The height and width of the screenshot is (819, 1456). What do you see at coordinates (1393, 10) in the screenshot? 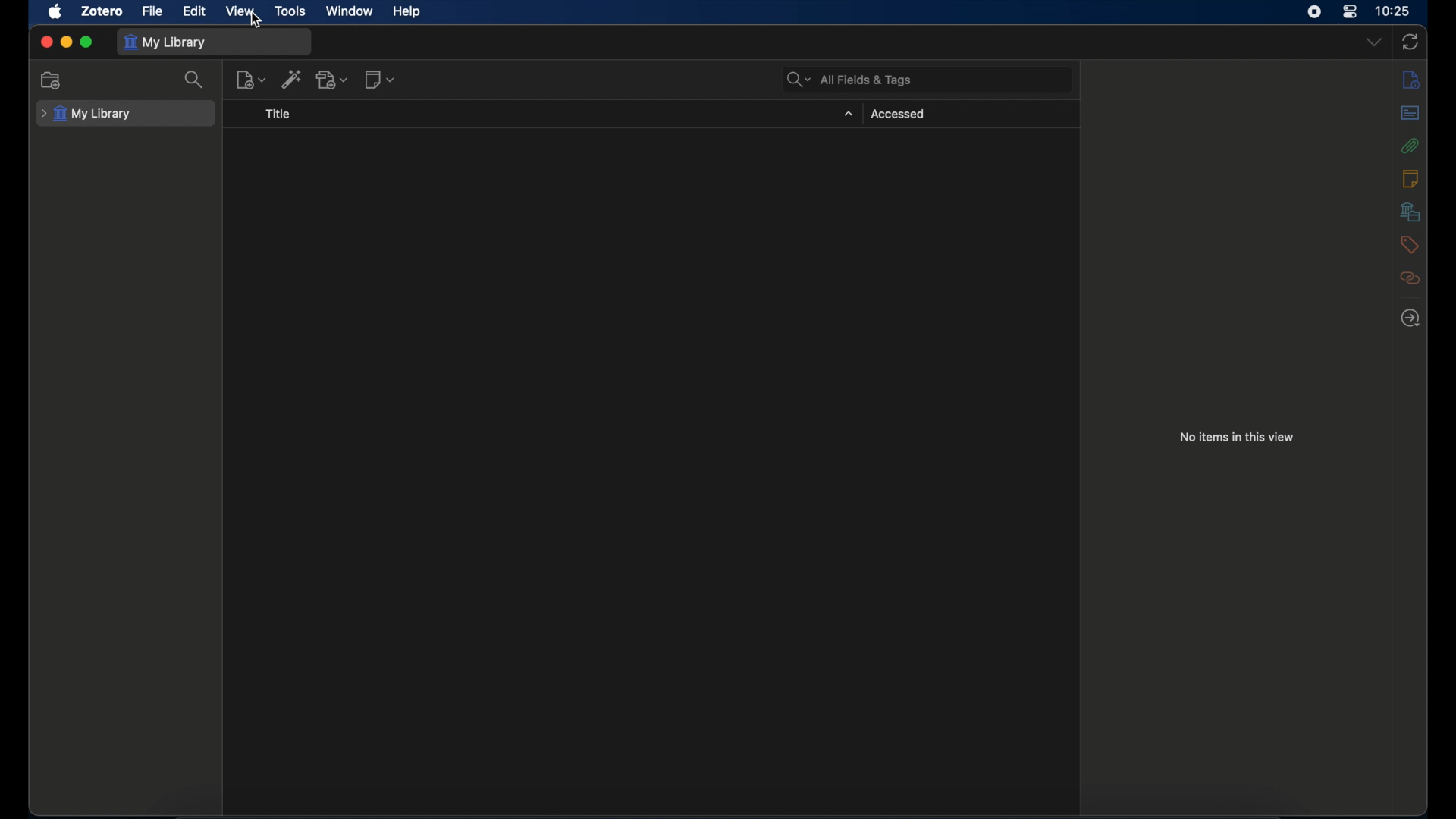
I see `time` at bounding box center [1393, 10].